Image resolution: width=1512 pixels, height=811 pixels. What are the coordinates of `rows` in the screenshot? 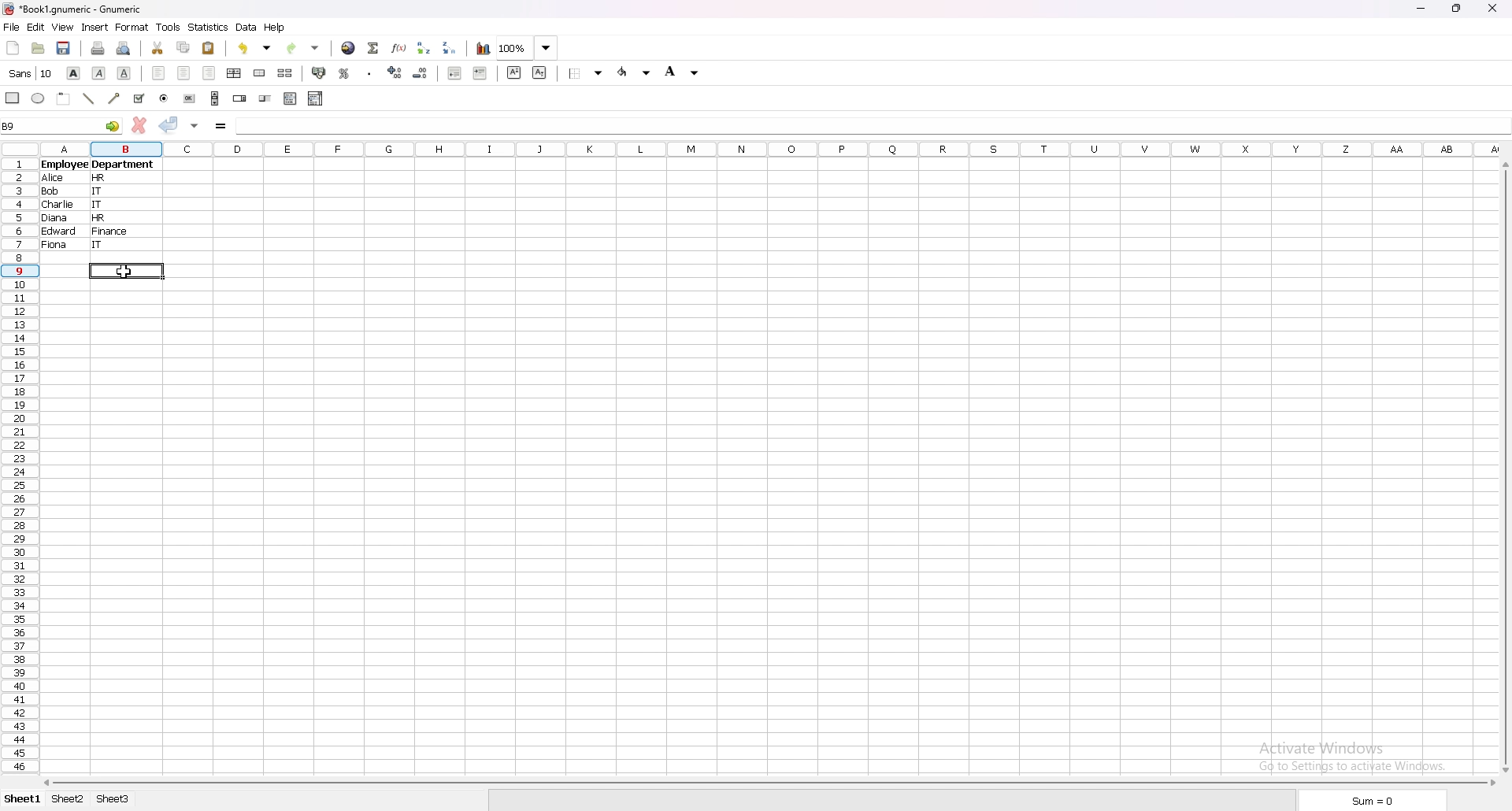 It's located at (20, 463).